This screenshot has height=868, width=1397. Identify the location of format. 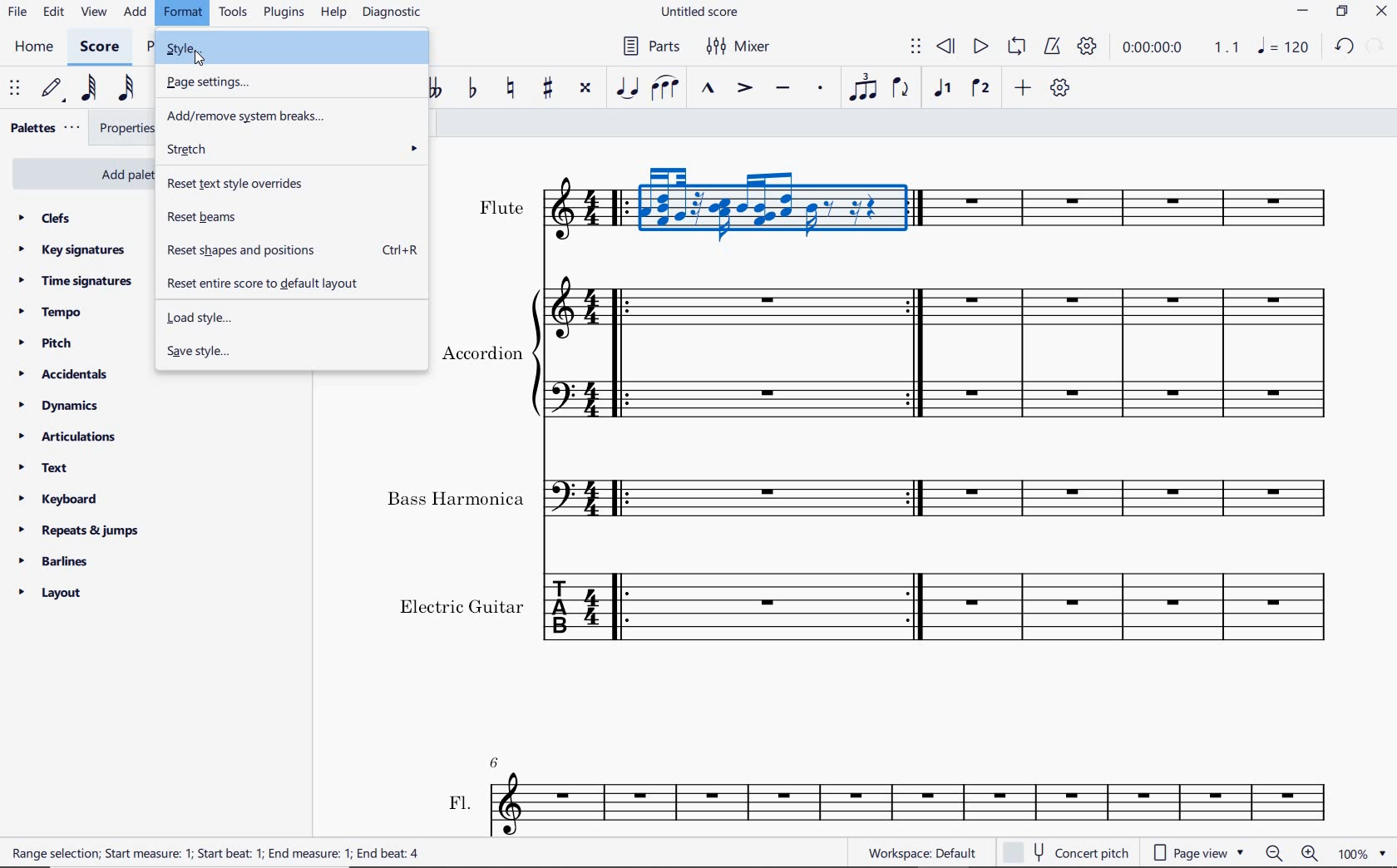
(183, 13).